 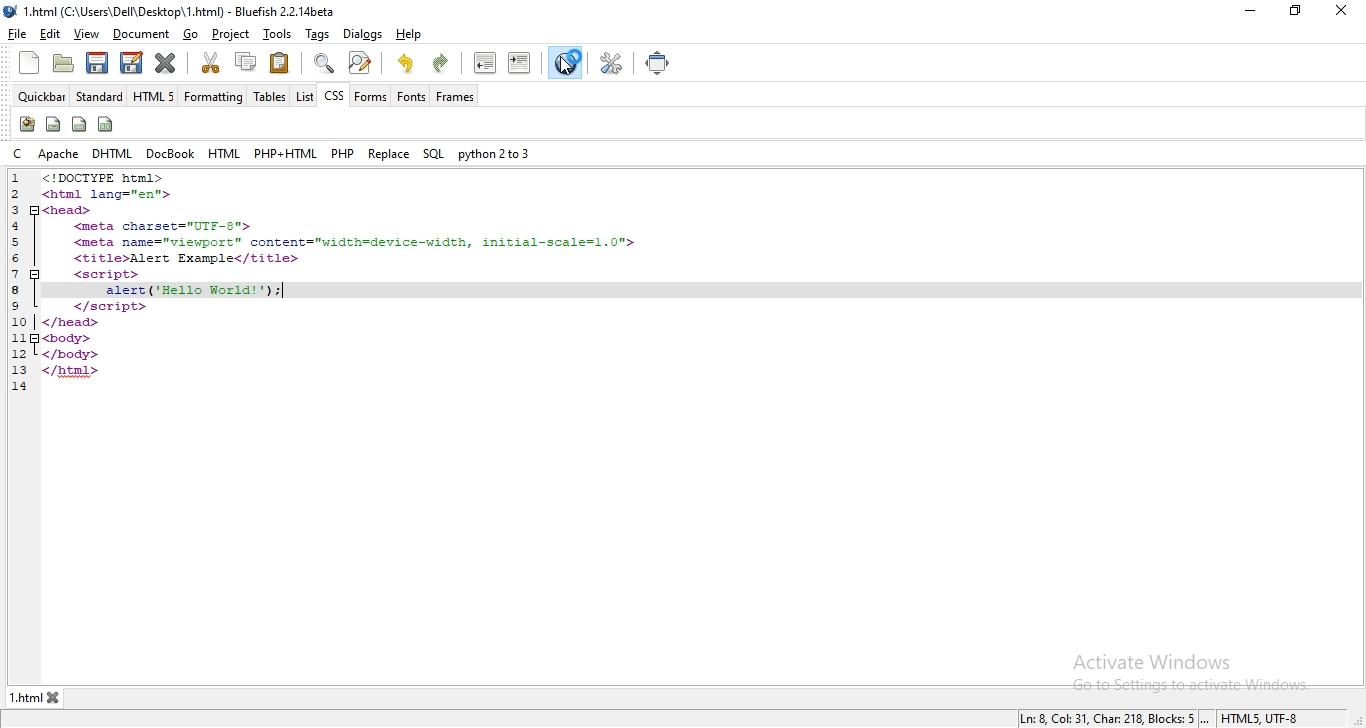 I want to click on <body>, so click(x=65, y=337).